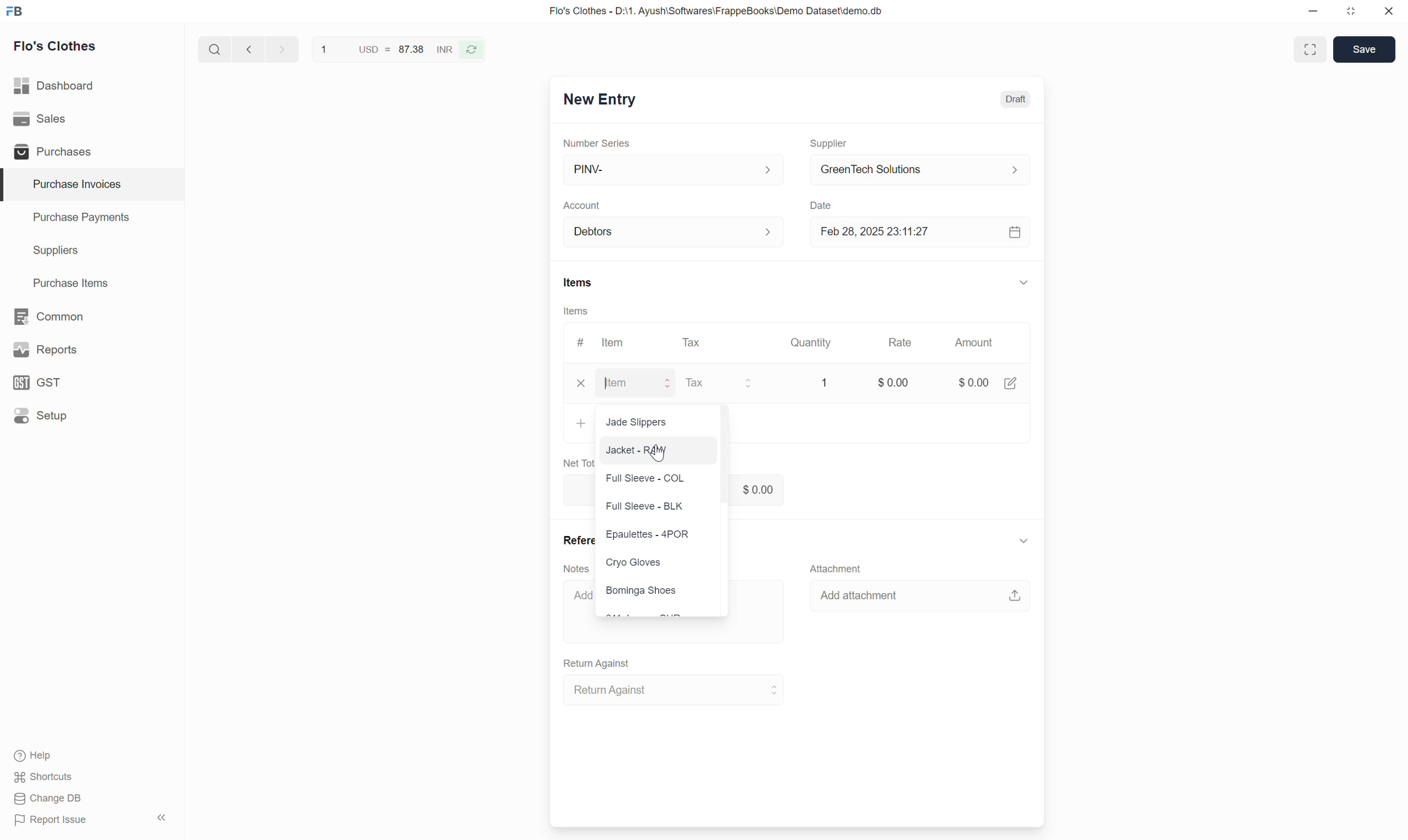  Describe the element at coordinates (1389, 11) in the screenshot. I see `Close` at that location.